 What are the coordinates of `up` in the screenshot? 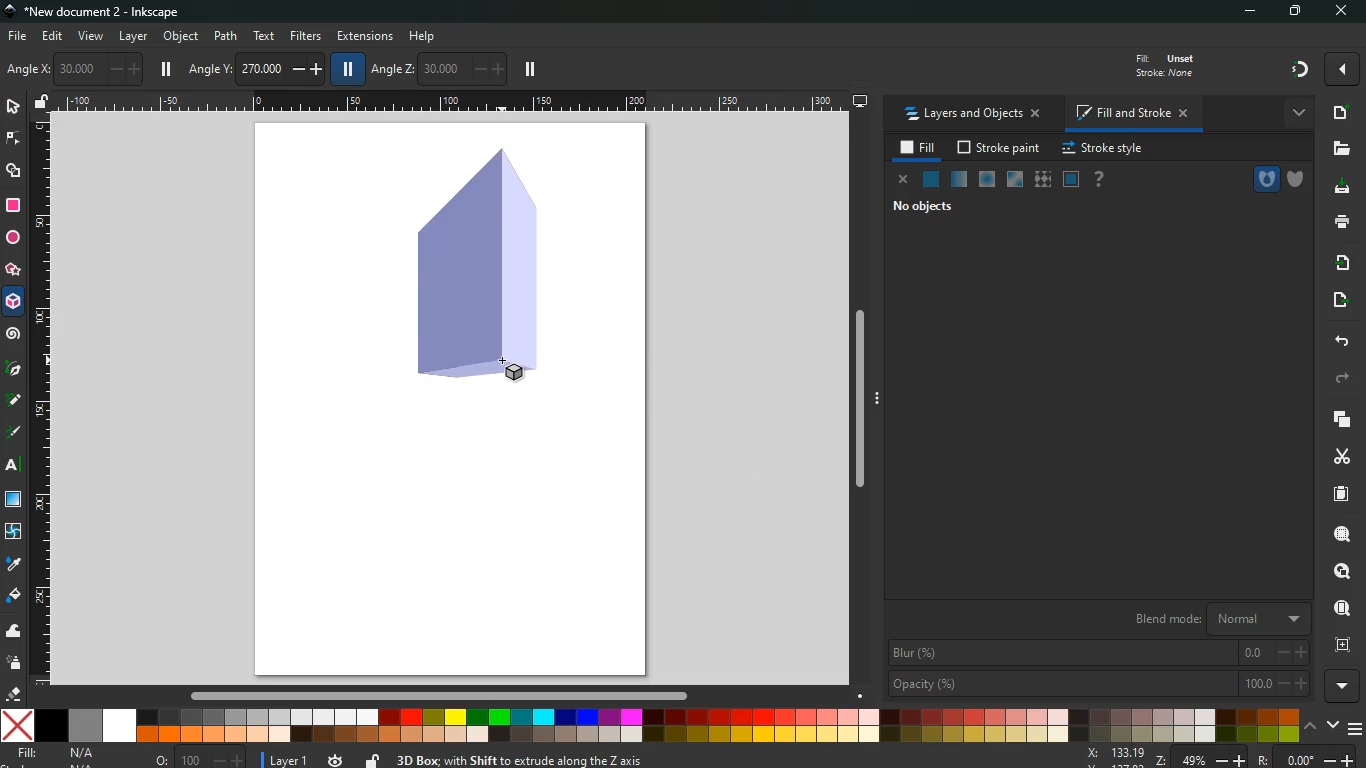 It's located at (1311, 728).